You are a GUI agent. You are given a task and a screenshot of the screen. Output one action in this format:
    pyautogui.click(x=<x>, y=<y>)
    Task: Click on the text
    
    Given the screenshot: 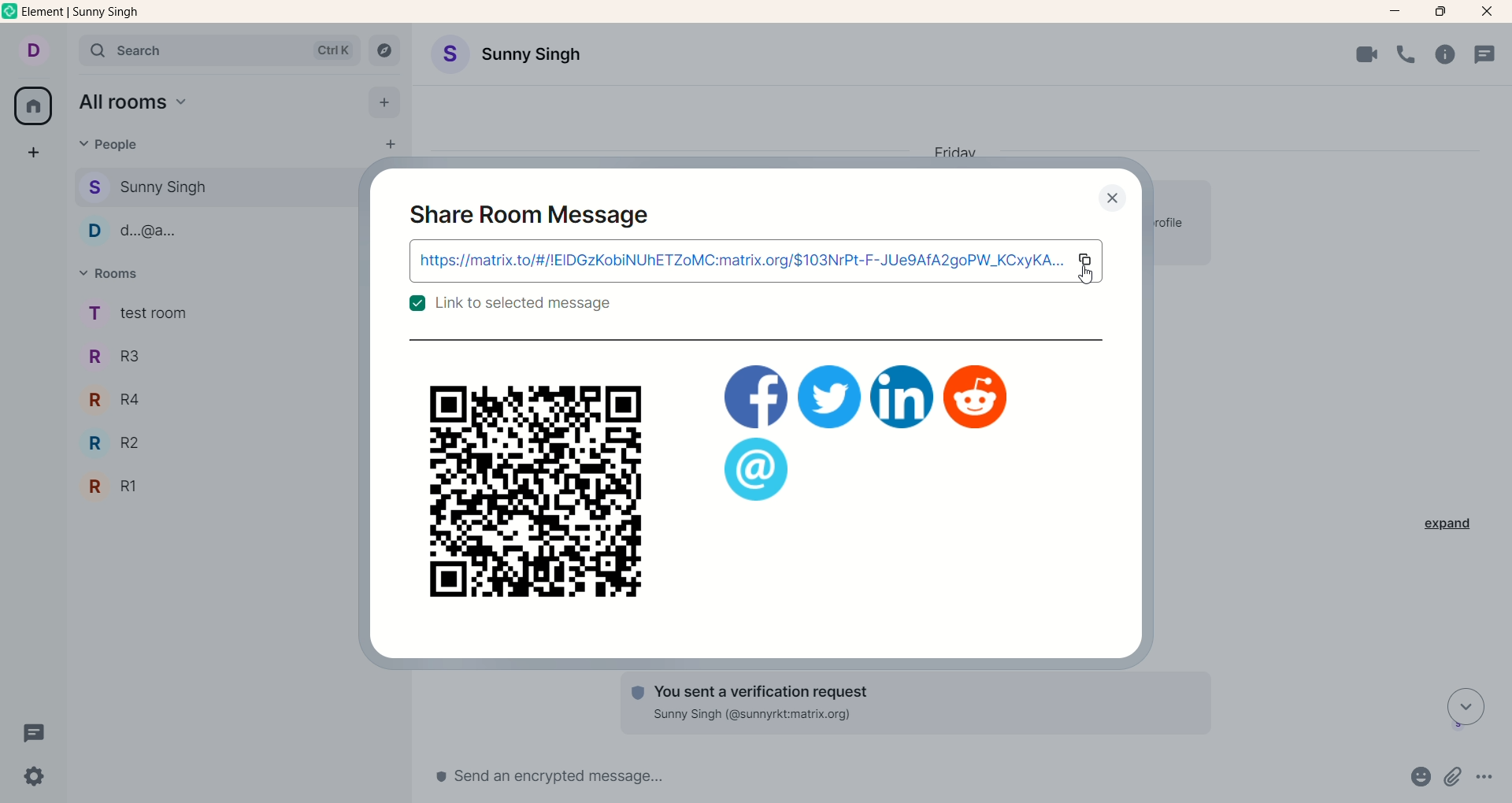 What is the action you would take?
    pyautogui.click(x=528, y=308)
    